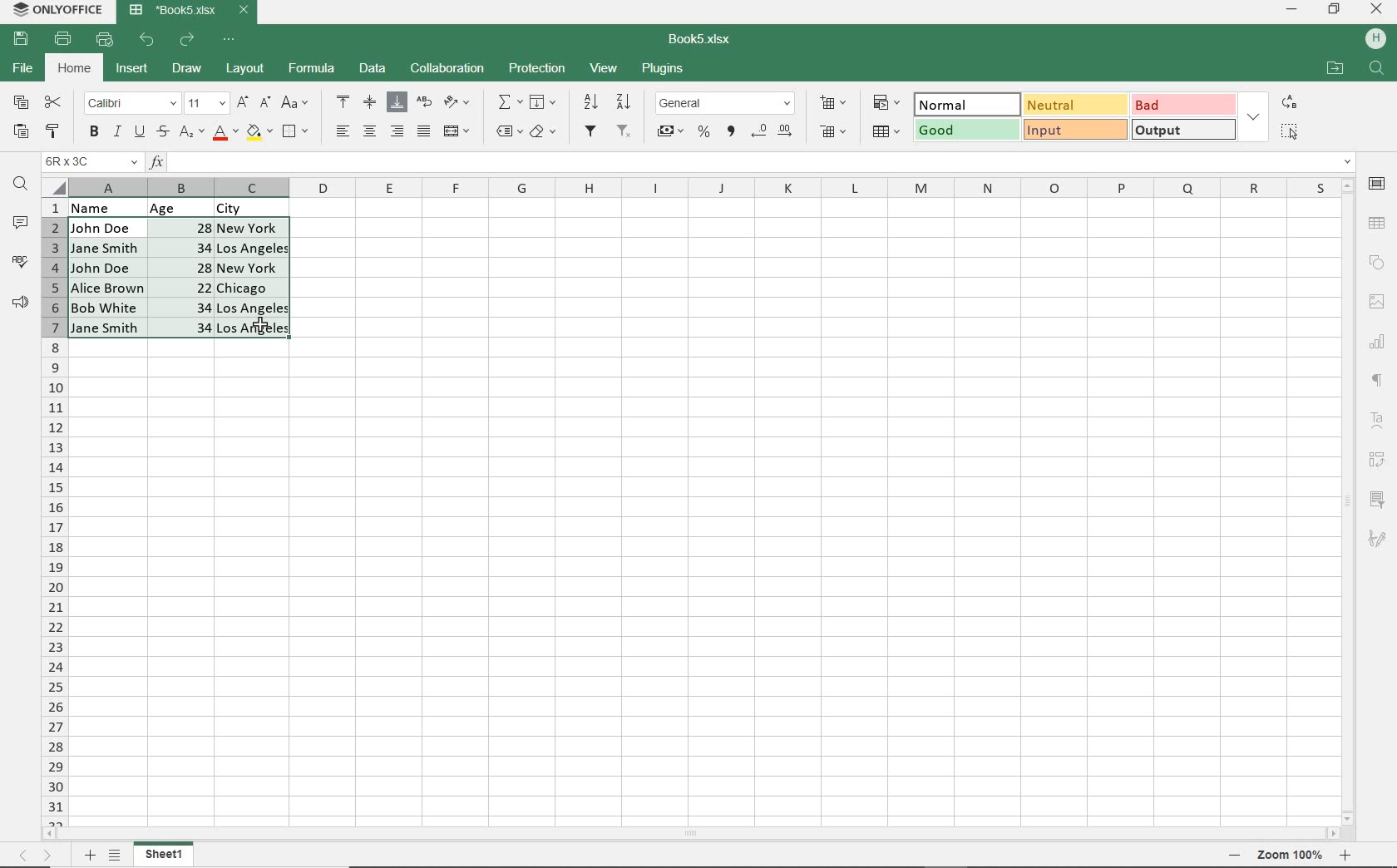 The image size is (1397, 868). Describe the element at coordinates (21, 302) in the screenshot. I see `FEEDBACK & SUPPORT` at that location.